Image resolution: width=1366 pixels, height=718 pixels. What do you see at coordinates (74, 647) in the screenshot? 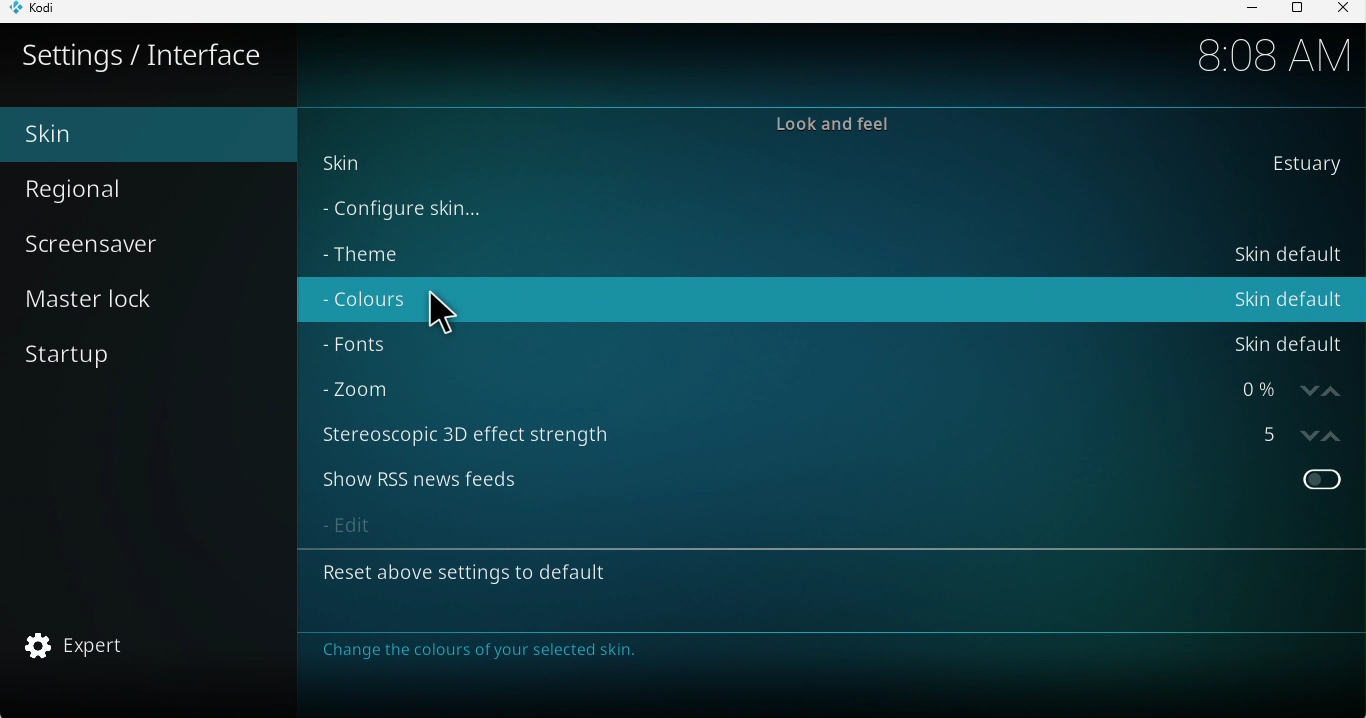
I see `Expert` at bounding box center [74, 647].